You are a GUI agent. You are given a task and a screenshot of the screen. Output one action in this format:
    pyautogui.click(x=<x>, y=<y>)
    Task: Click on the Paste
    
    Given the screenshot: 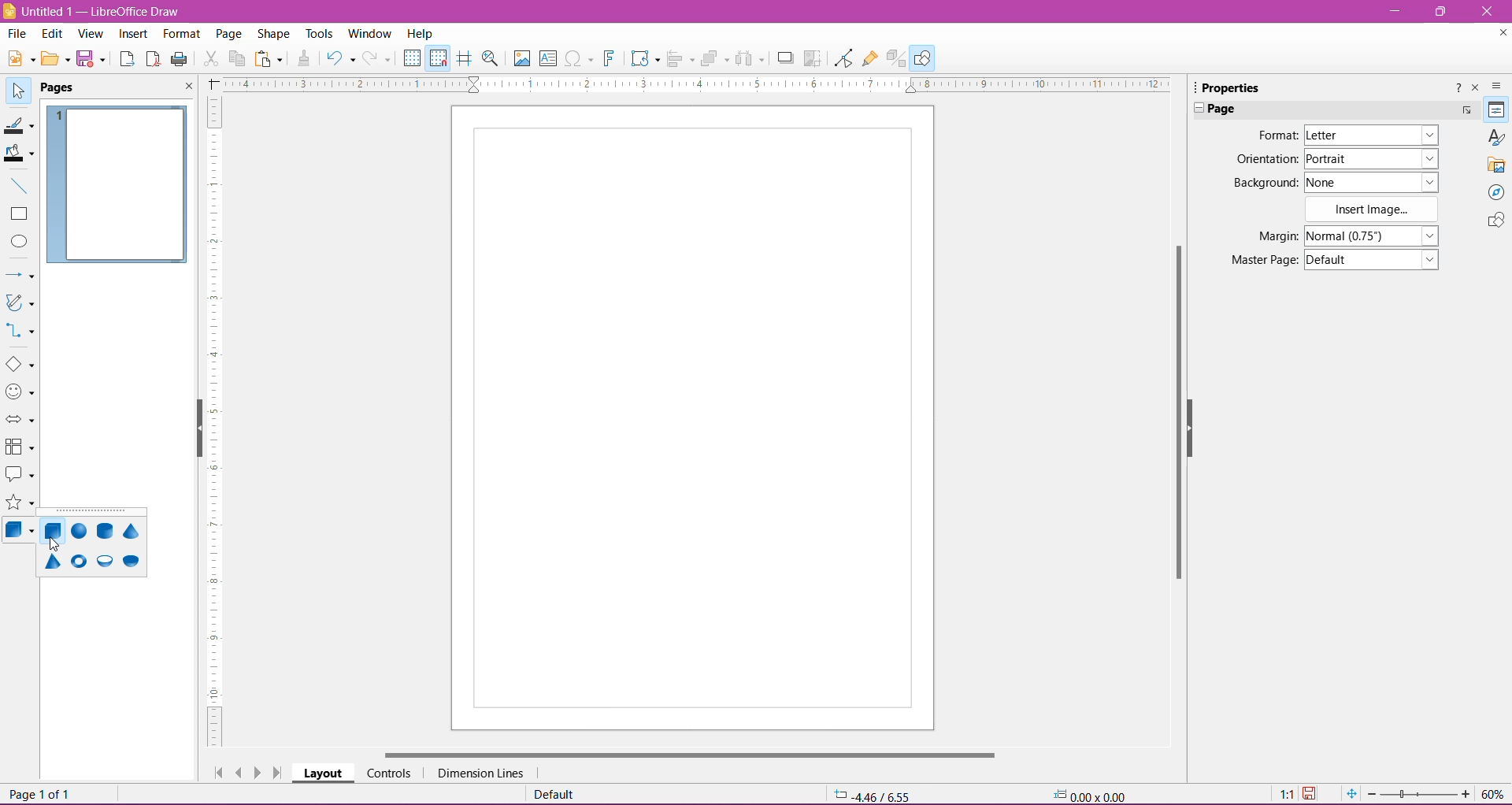 What is the action you would take?
    pyautogui.click(x=270, y=60)
    